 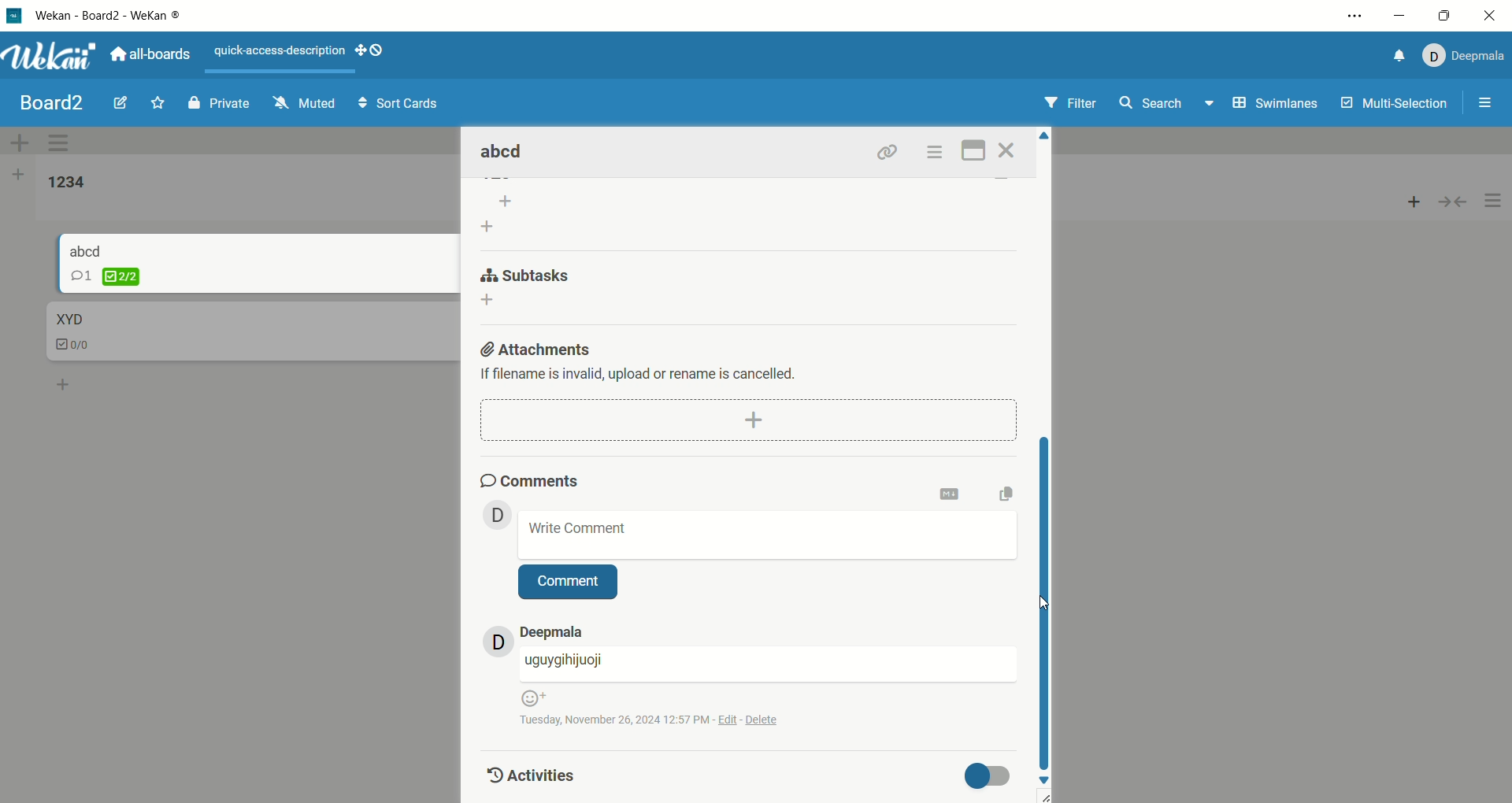 What do you see at coordinates (1010, 150) in the screenshot?
I see `close` at bounding box center [1010, 150].